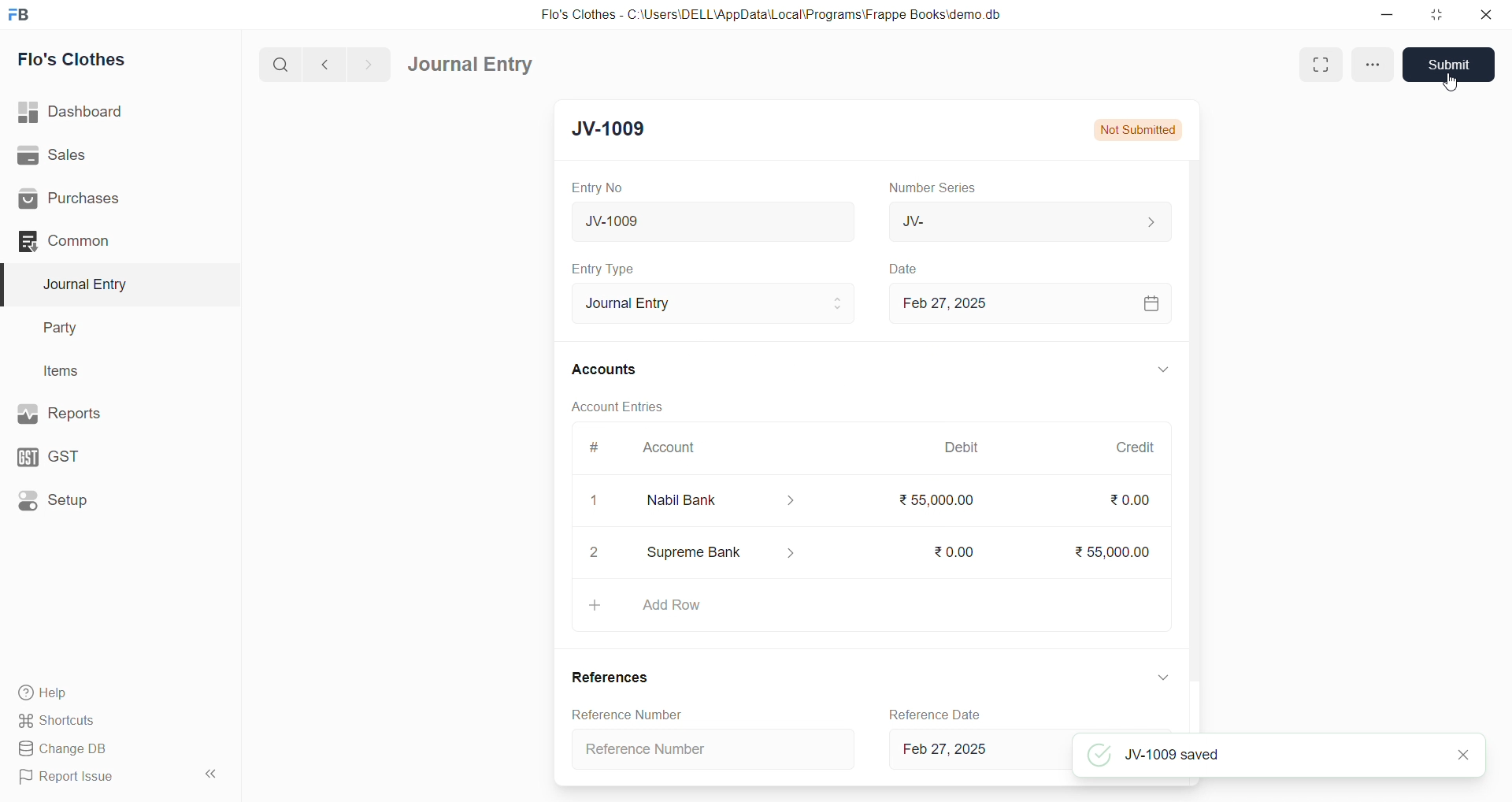  Describe the element at coordinates (94, 780) in the screenshot. I see `Report Issue` at that location.